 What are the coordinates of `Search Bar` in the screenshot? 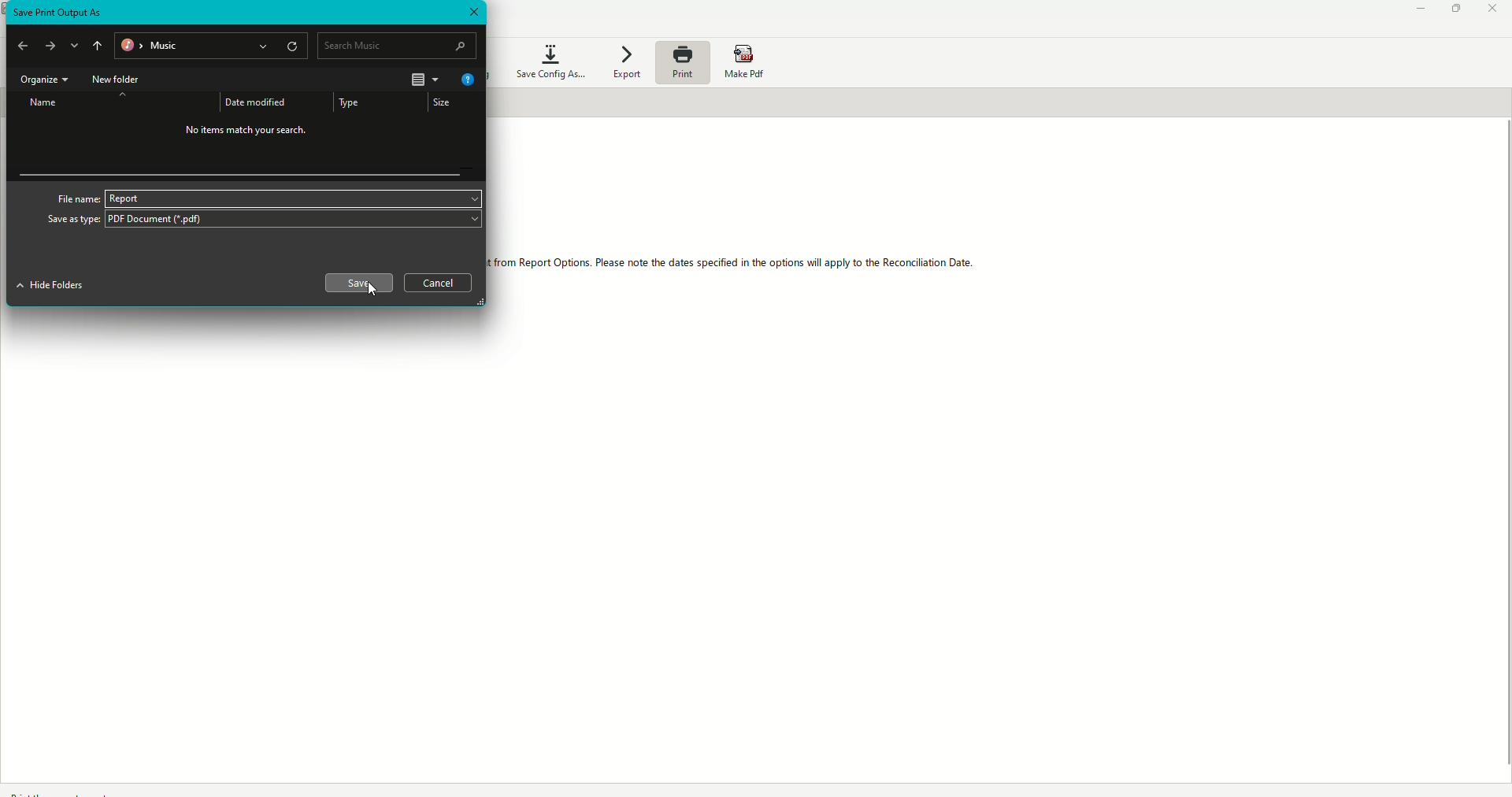 It's located at (396, 44).